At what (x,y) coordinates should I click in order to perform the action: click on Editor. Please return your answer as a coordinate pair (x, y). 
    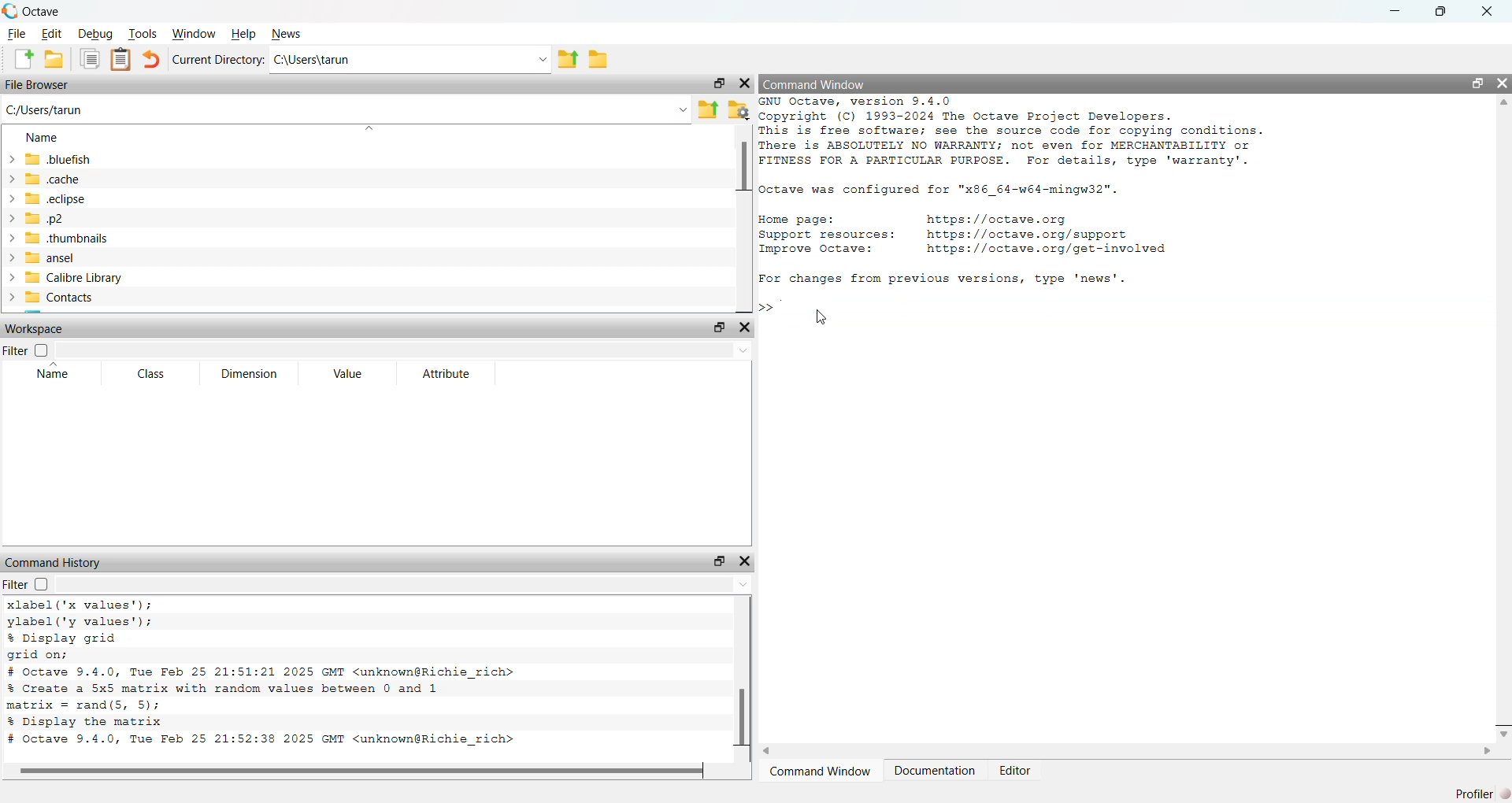
    Looking at the image, I should click on (1015, 770).